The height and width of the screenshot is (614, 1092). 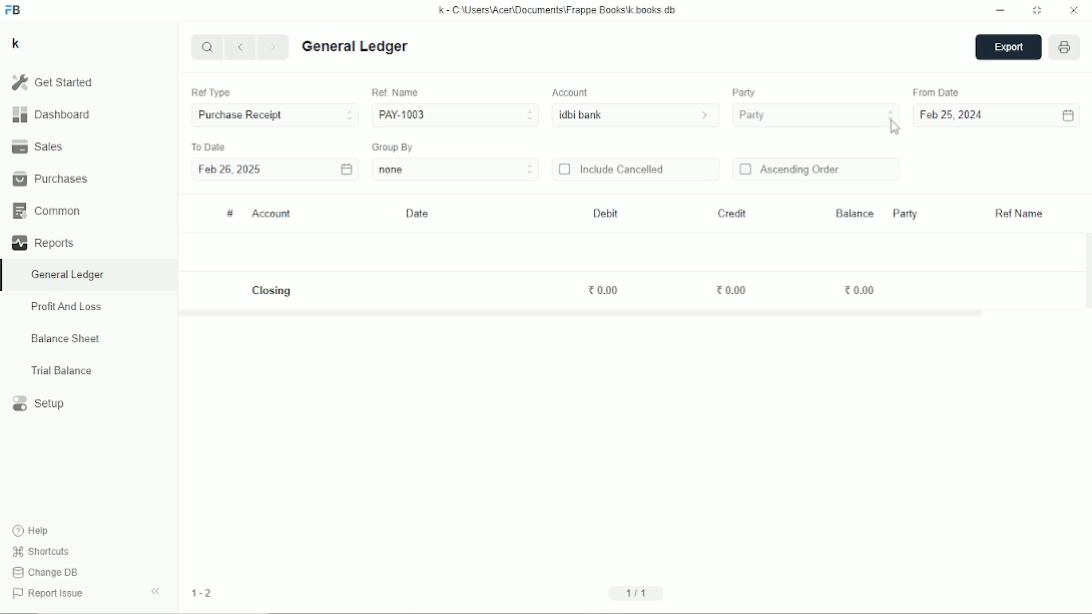 What do you see at coordinates (346, 168) in the screenshot?
I see `Calendar` at bounding box center [346, 168].